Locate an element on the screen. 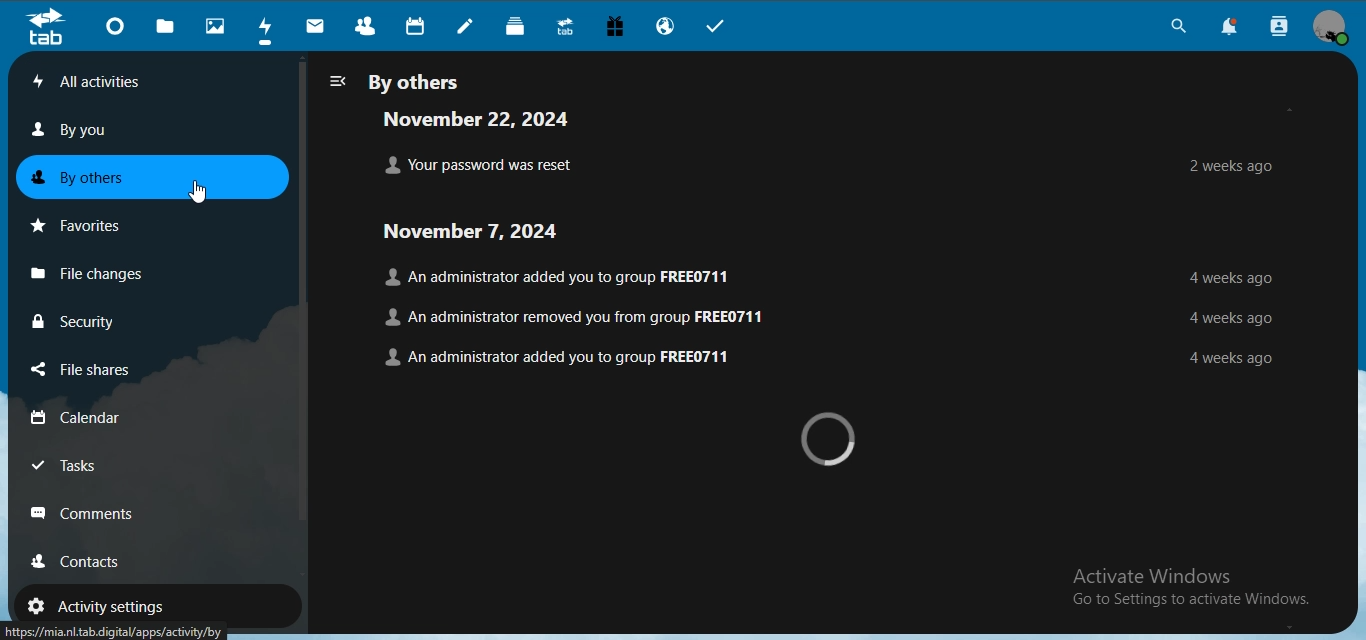 The image size is (1366, 640). all activities is located at coordinates (122, 81).